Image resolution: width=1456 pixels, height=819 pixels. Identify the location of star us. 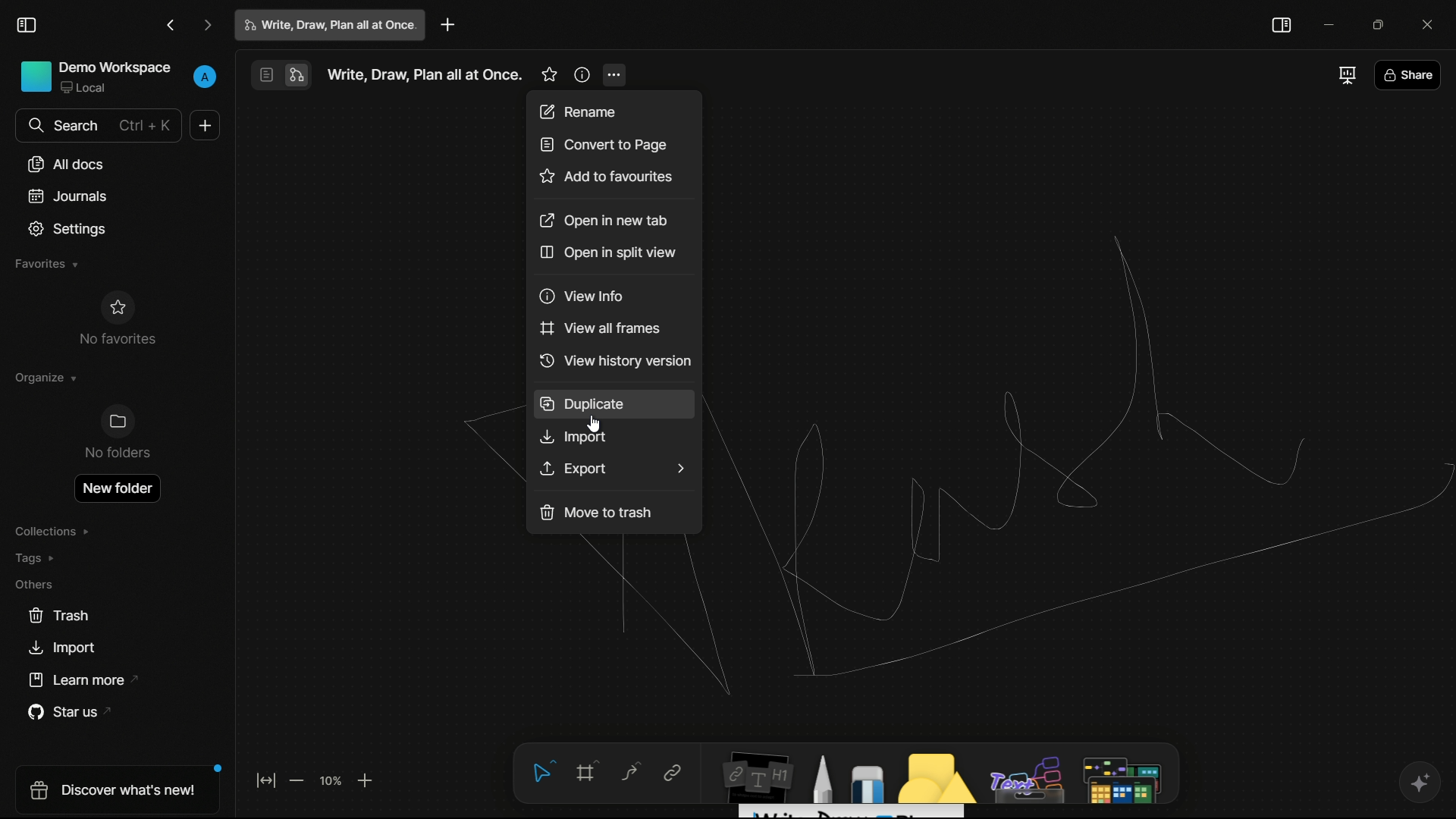
(67, 712).